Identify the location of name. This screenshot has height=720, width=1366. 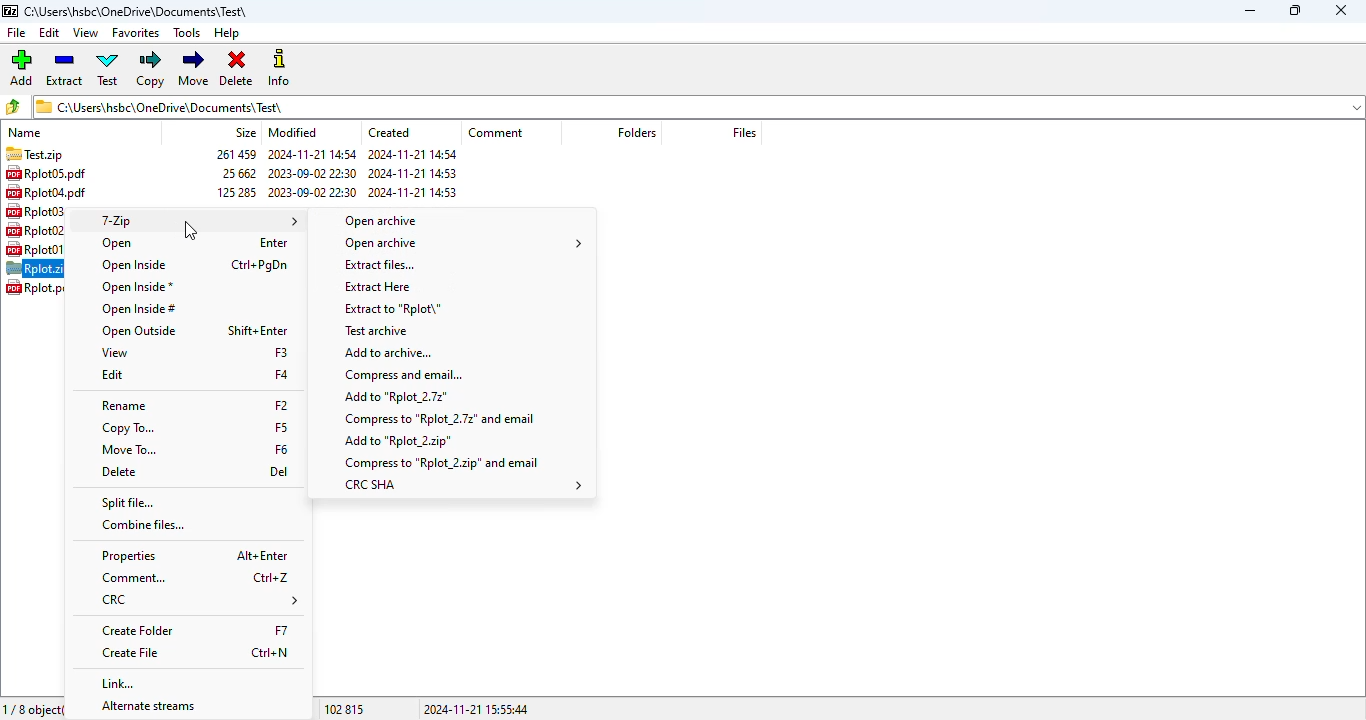
(27, 132).